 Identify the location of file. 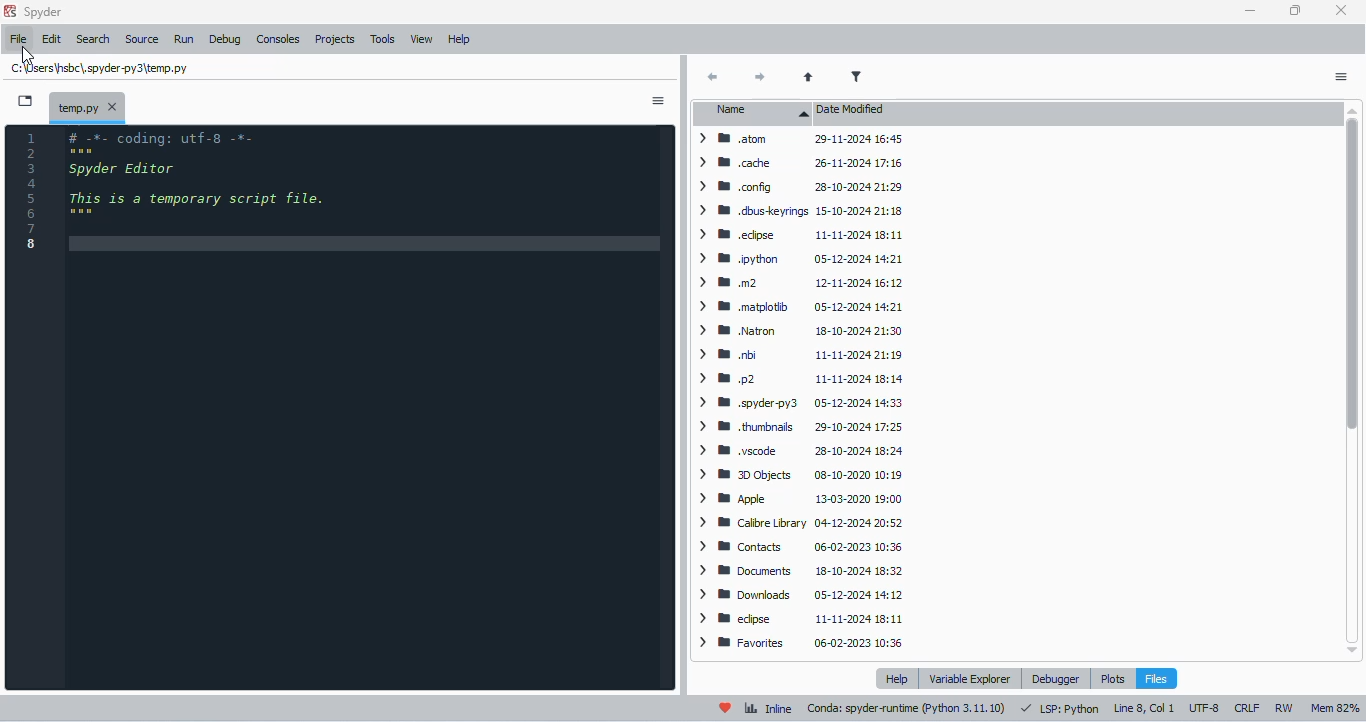
(19, 39).